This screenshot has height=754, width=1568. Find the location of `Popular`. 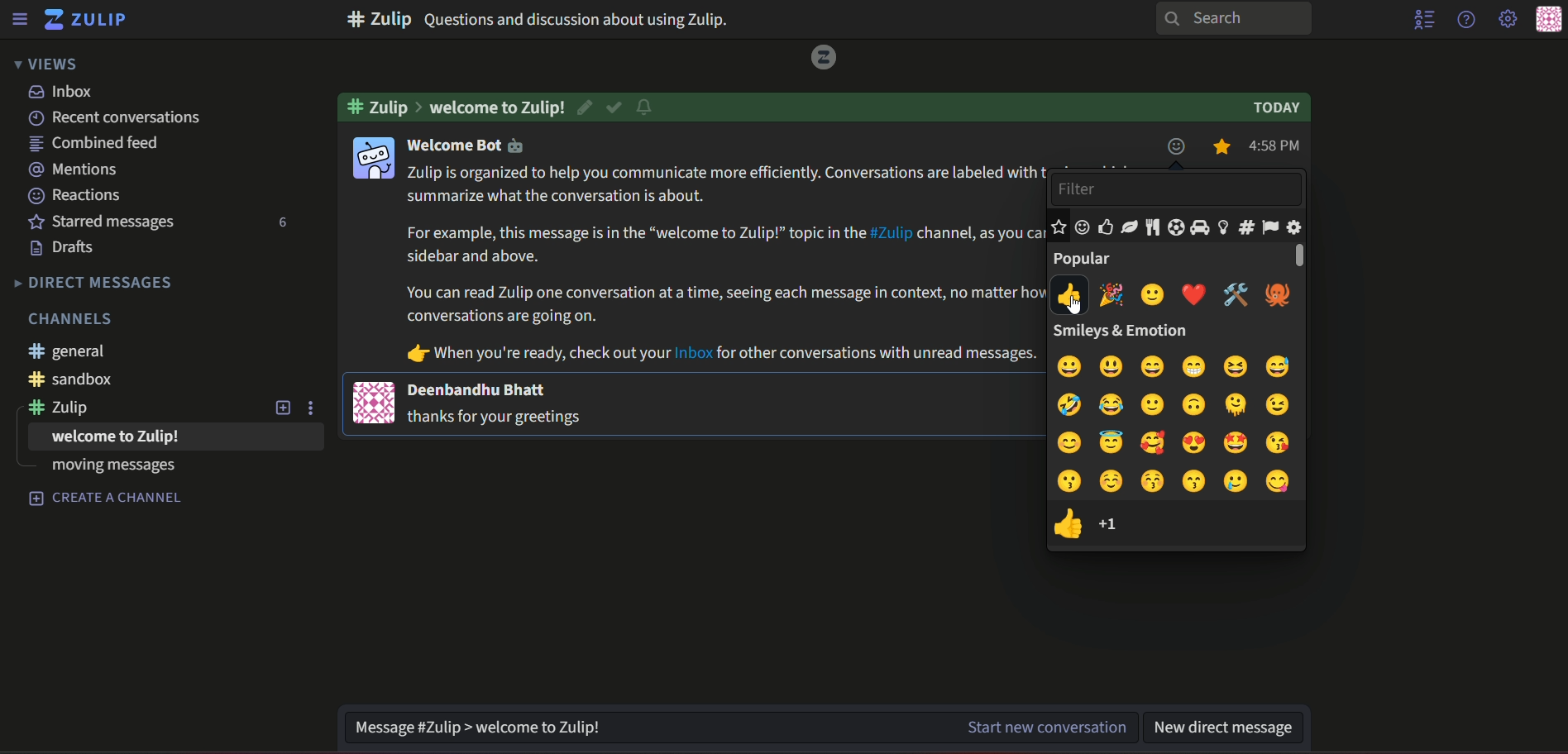

Popular is located at coordinates (1087, 259).